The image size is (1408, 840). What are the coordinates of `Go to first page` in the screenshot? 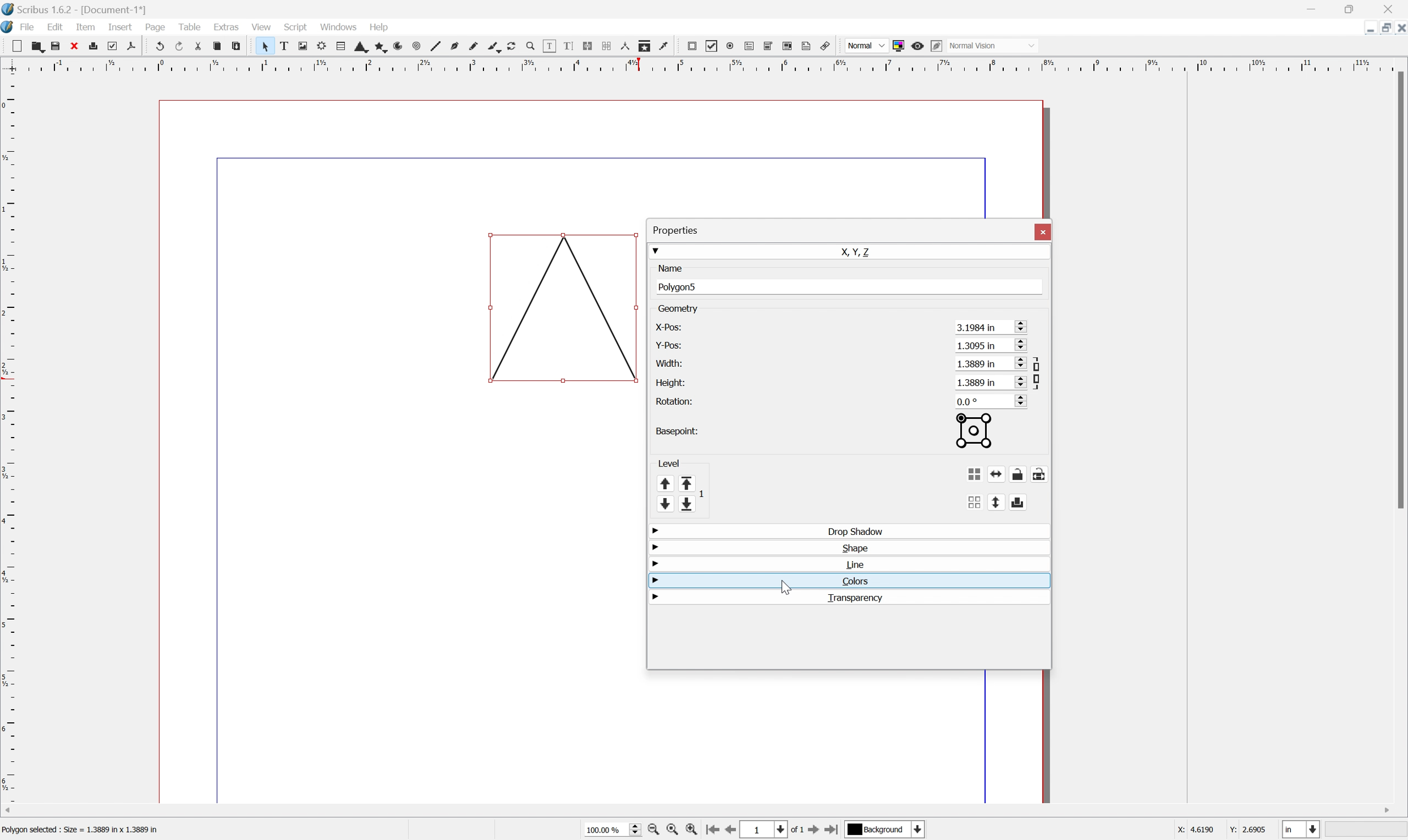 It's located at (712, 830).